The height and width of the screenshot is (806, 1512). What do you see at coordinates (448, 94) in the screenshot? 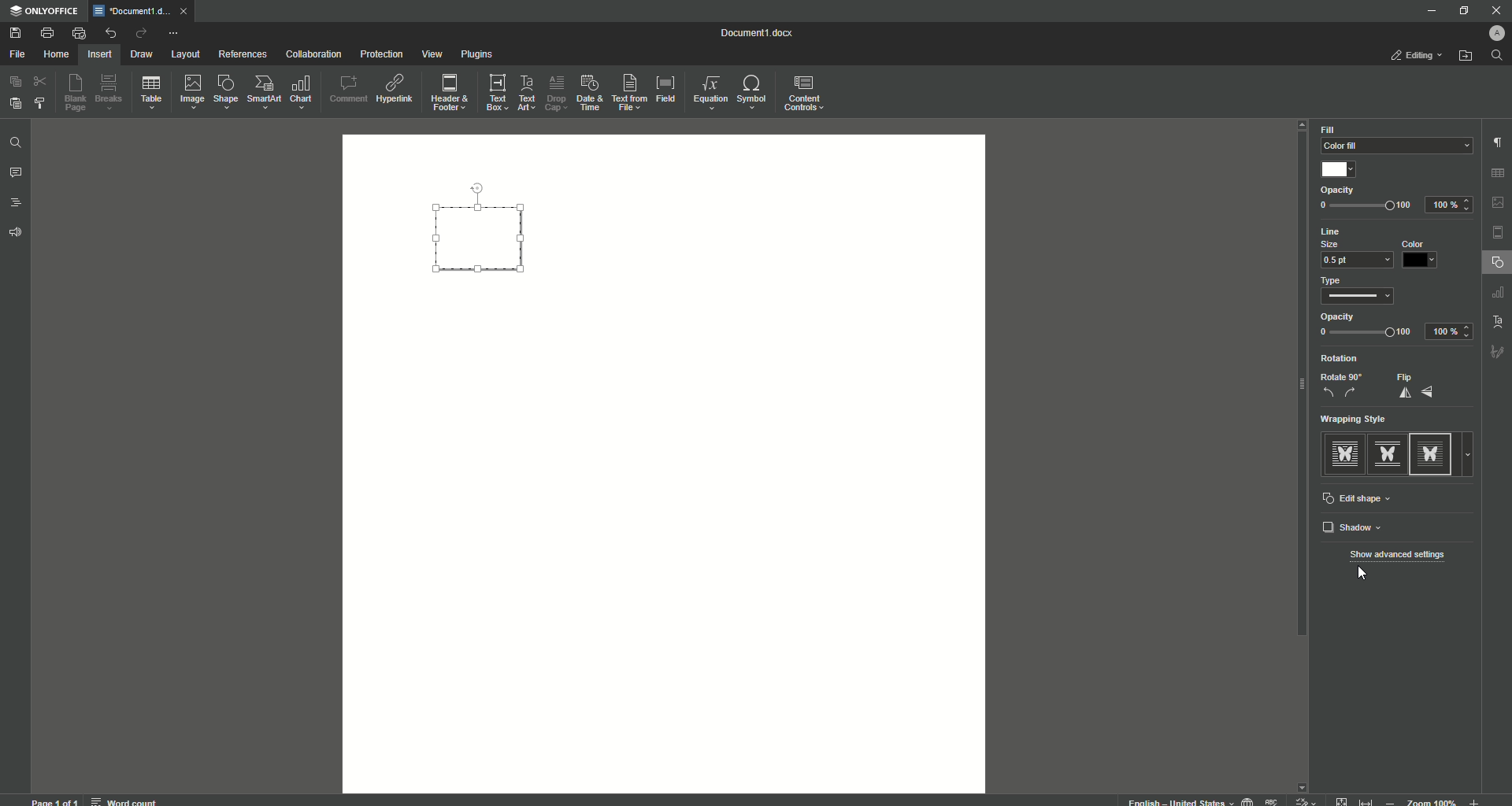
I see `Header and Footer` at bounding box center [448, 94].